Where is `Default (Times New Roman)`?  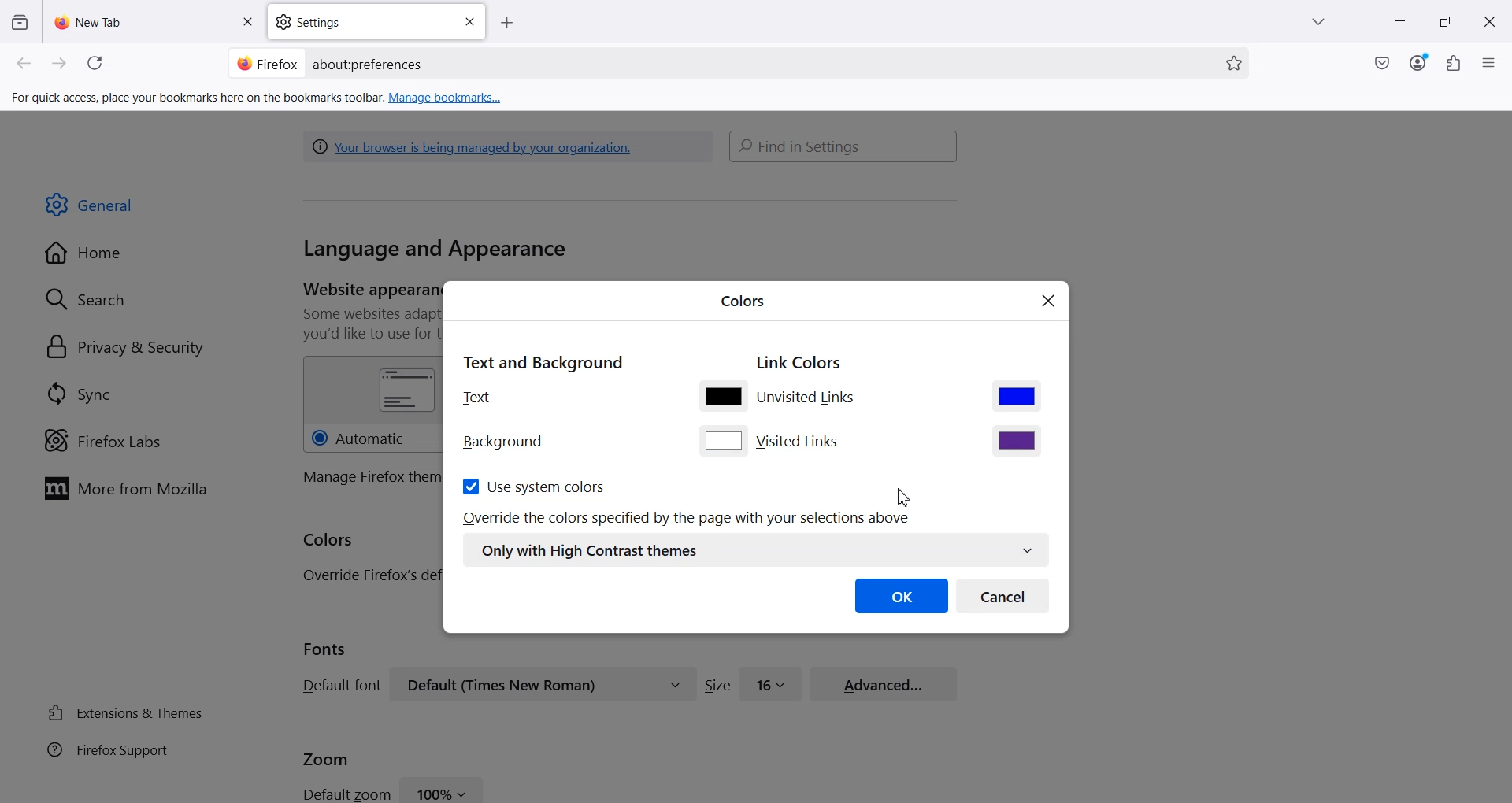 Default (Times New Roman) is located at coordinates (543, 684).